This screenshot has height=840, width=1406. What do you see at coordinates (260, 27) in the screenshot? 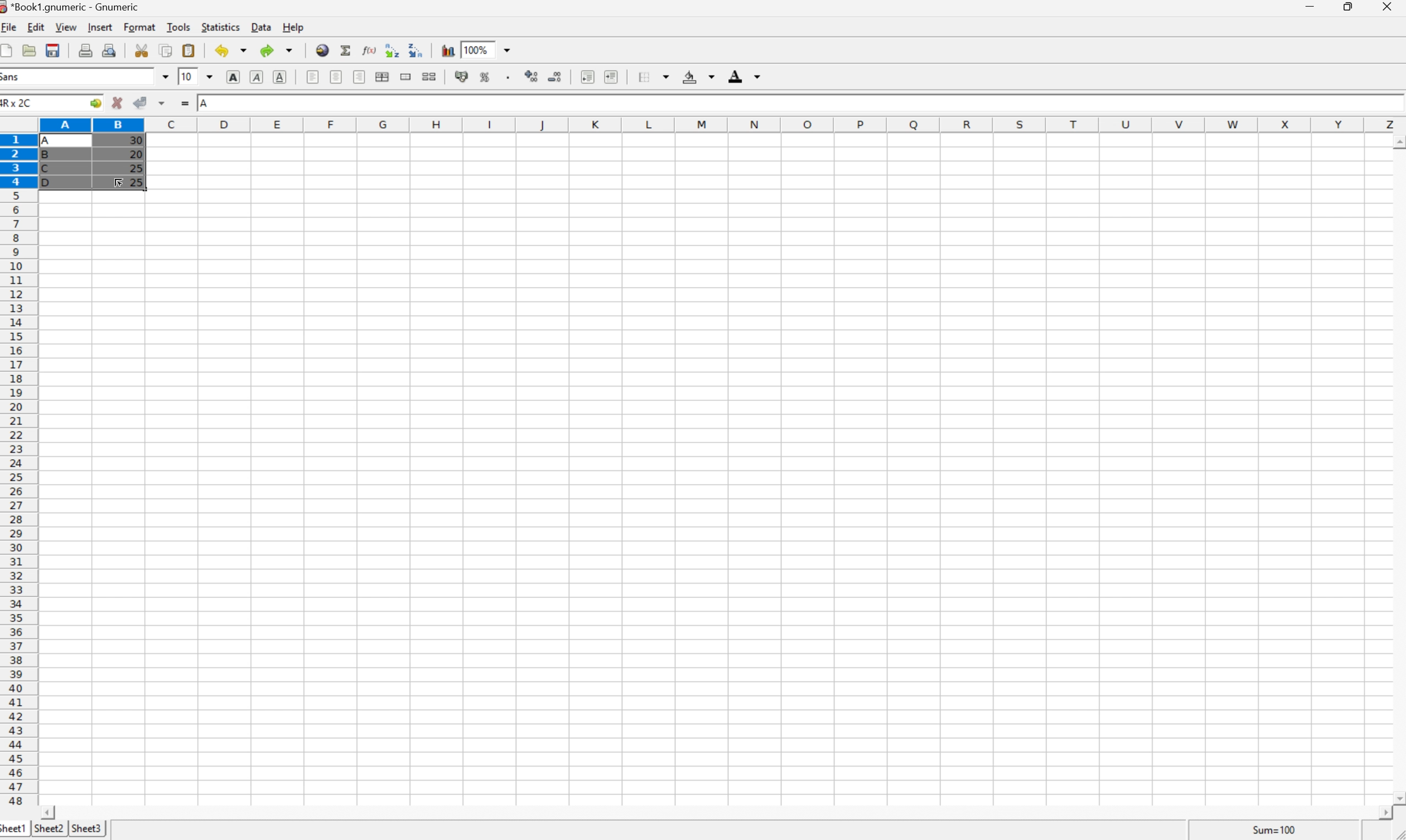
I see `Data` at bounding box center [260, 27].